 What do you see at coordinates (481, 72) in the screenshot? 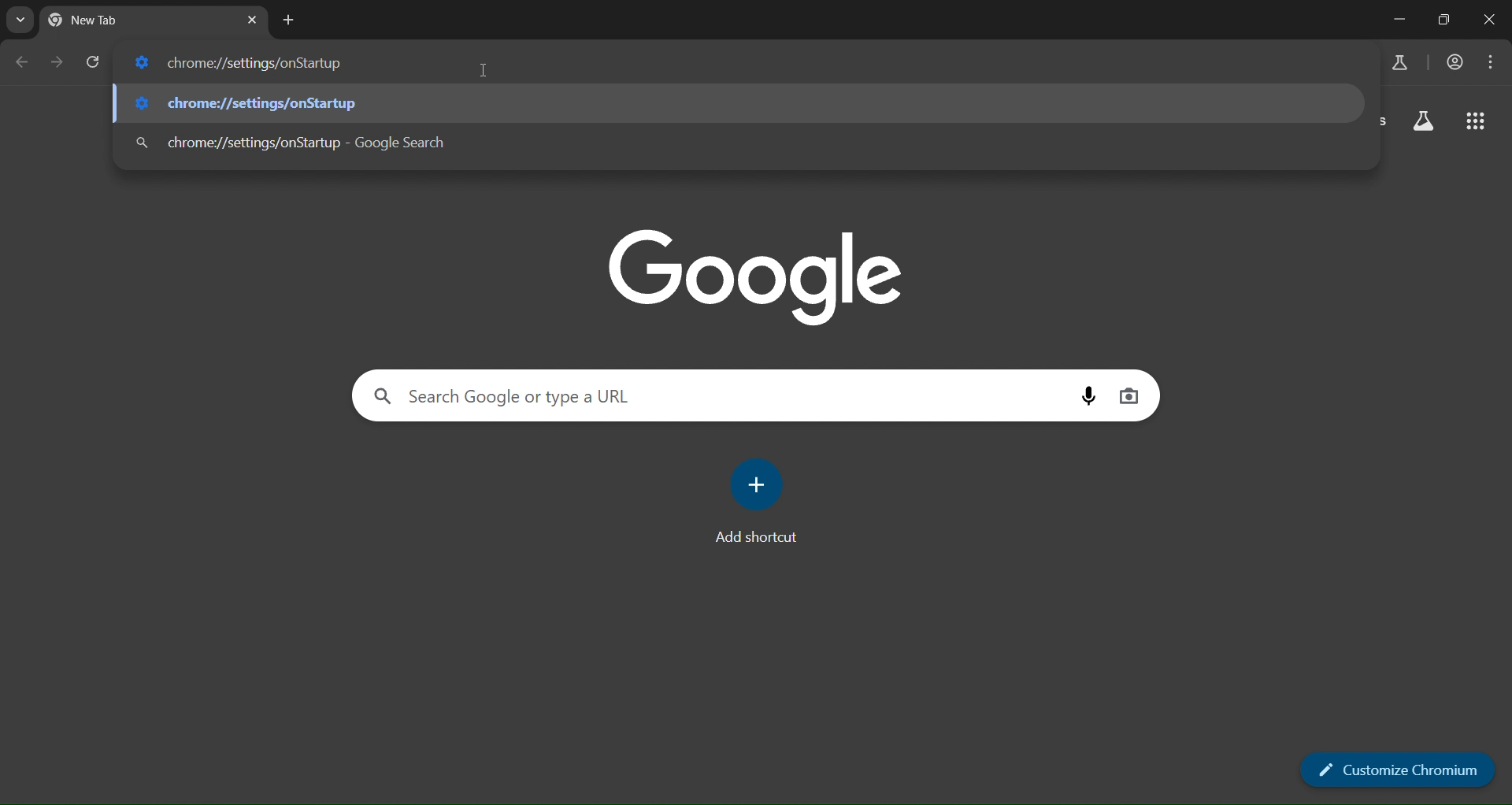
I see `cursor` at bounding box center [481, 72].